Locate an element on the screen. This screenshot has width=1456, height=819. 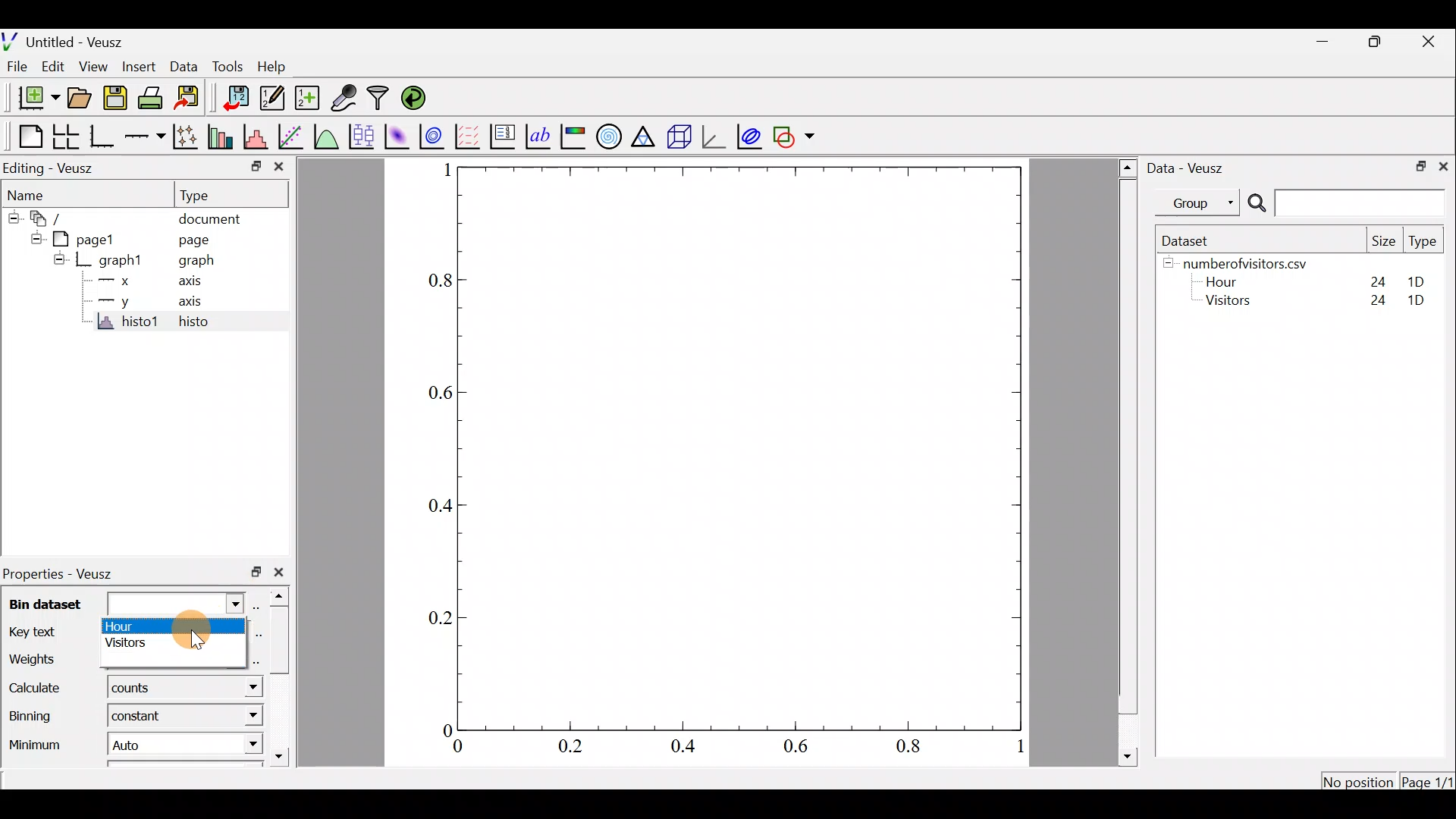
restore down is located at coordinates (249, 168).